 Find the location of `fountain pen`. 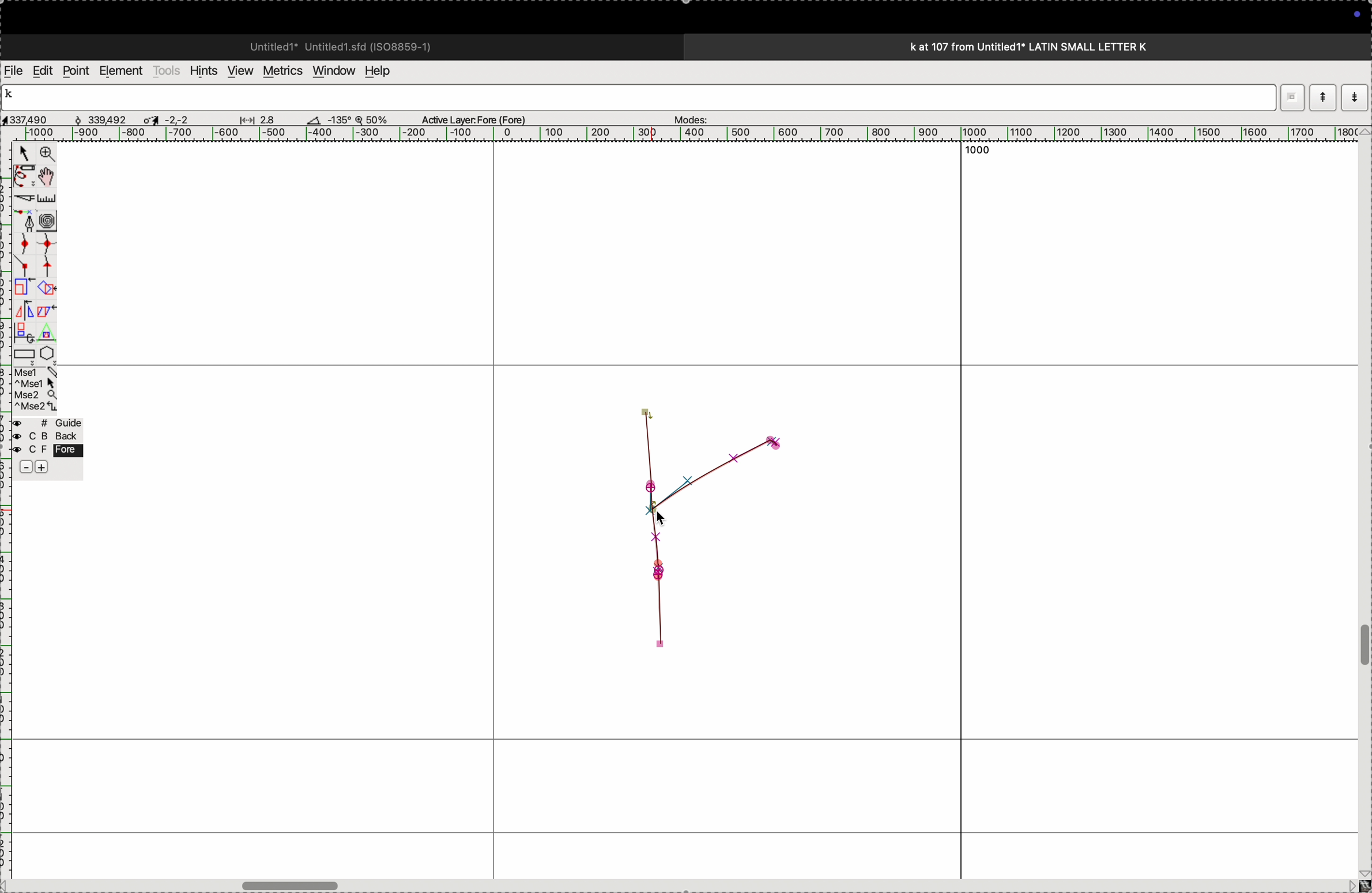

fountain pen is located at coordinates (28, 221).